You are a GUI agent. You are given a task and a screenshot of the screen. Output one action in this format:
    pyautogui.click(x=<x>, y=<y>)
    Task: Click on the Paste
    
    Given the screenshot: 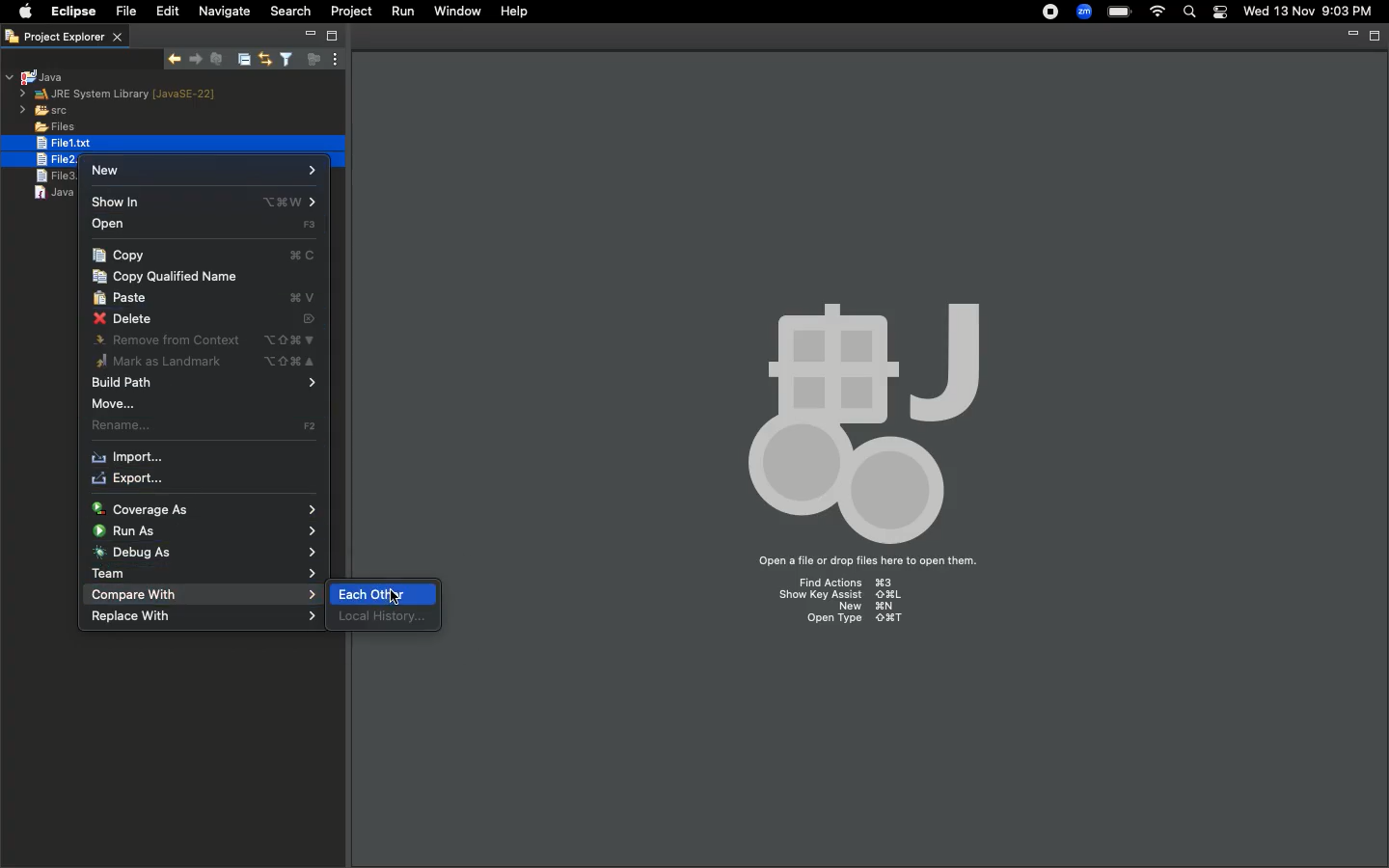 What is the action you would take?
    pyautogui.click(x=204, y=297)
    